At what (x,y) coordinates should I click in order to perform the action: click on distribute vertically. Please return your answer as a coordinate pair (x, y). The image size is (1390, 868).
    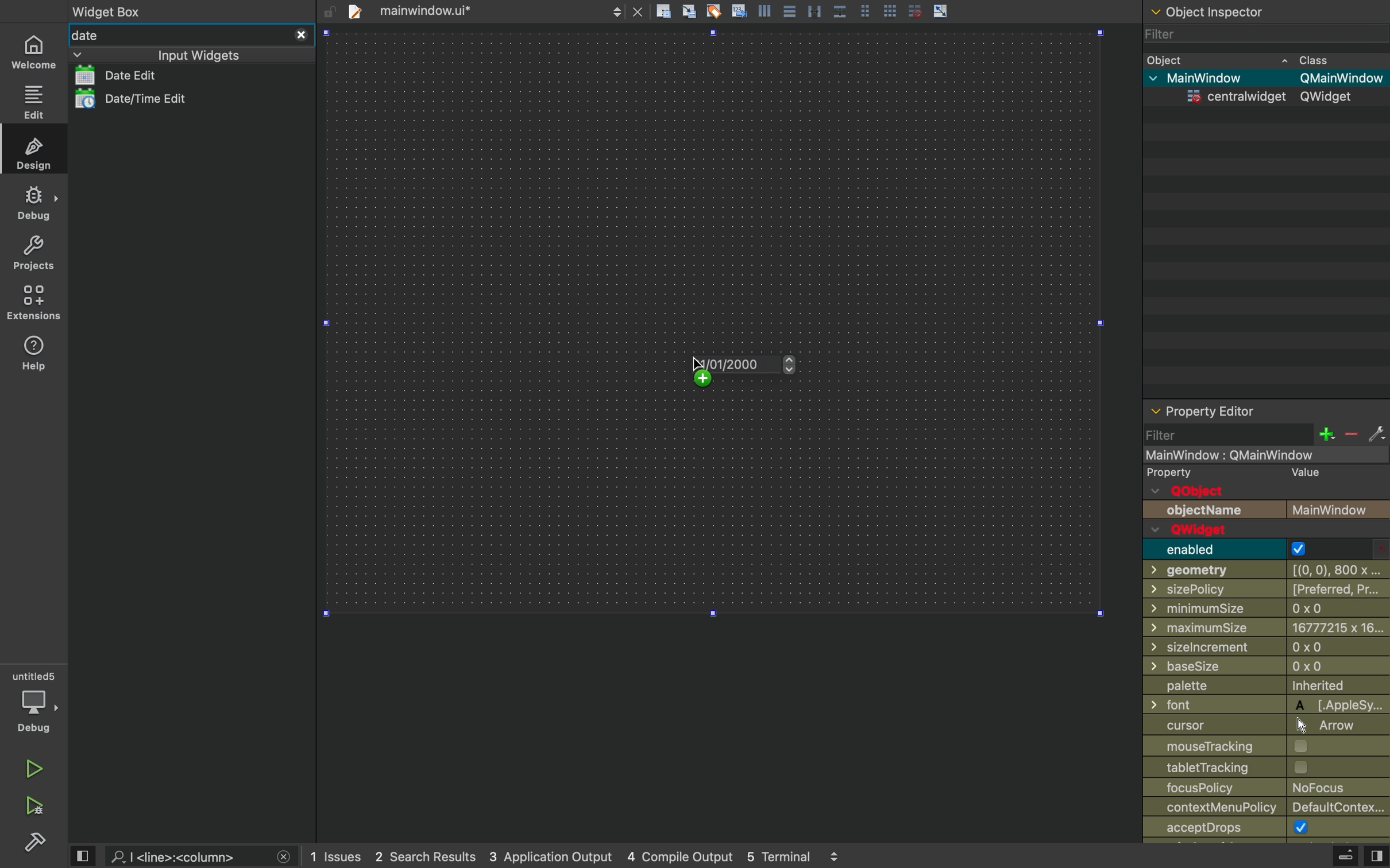
    Looking at the image, I should click on (840, 10).